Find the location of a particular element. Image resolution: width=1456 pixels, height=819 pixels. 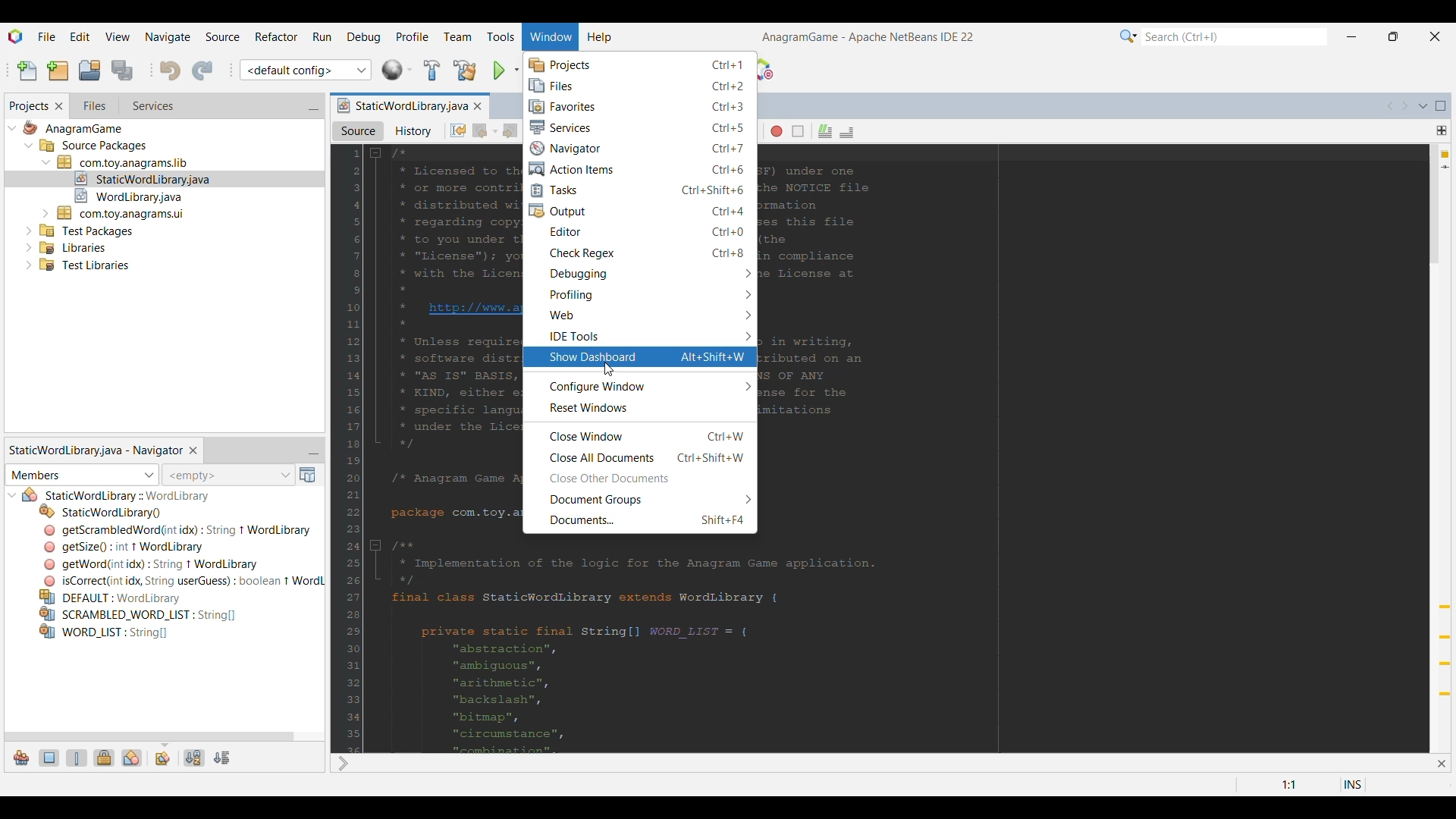

Close all documents is located at coordinates (641, 457).